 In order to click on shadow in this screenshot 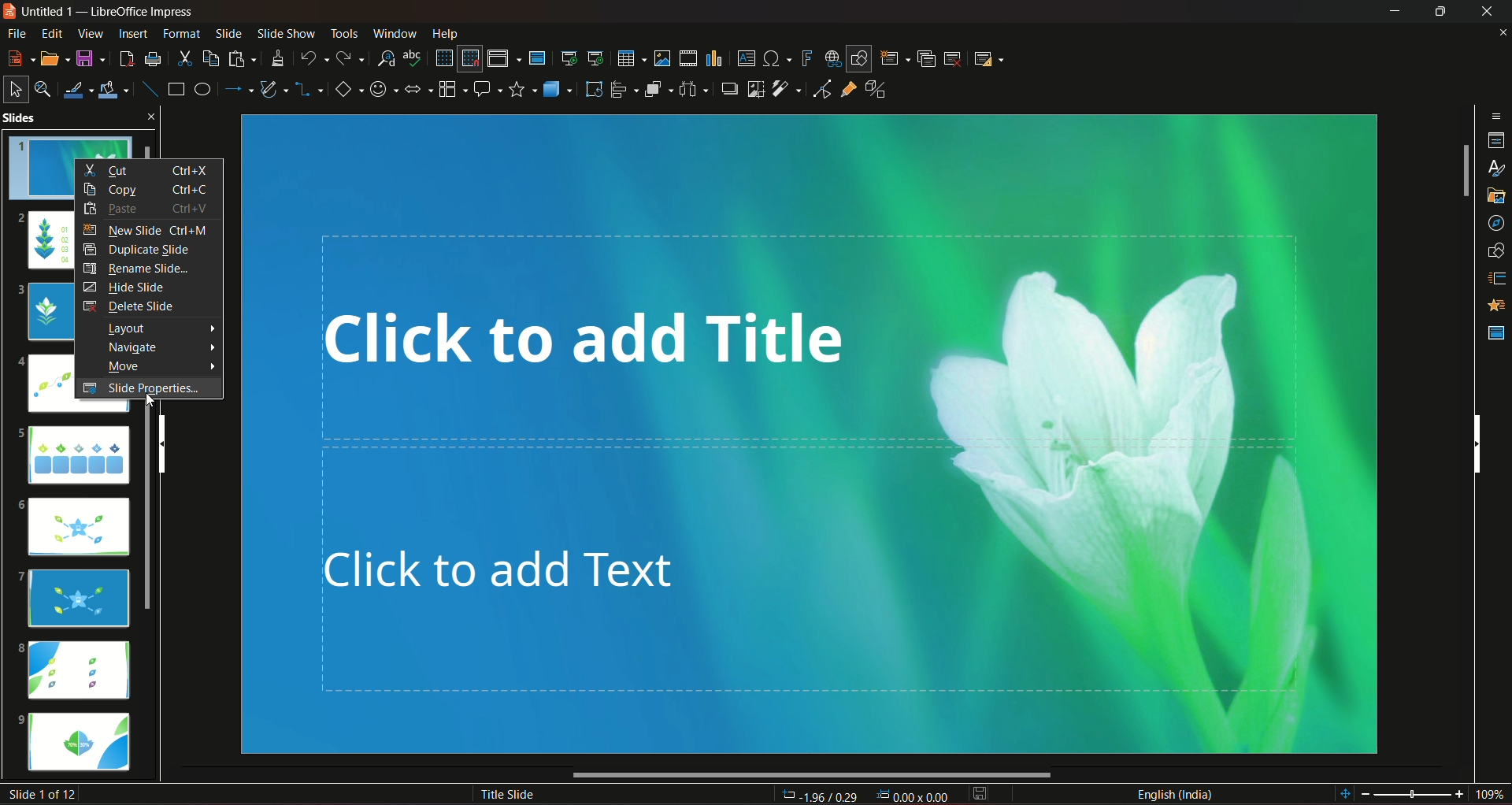, I will do `click(729, 89)`.